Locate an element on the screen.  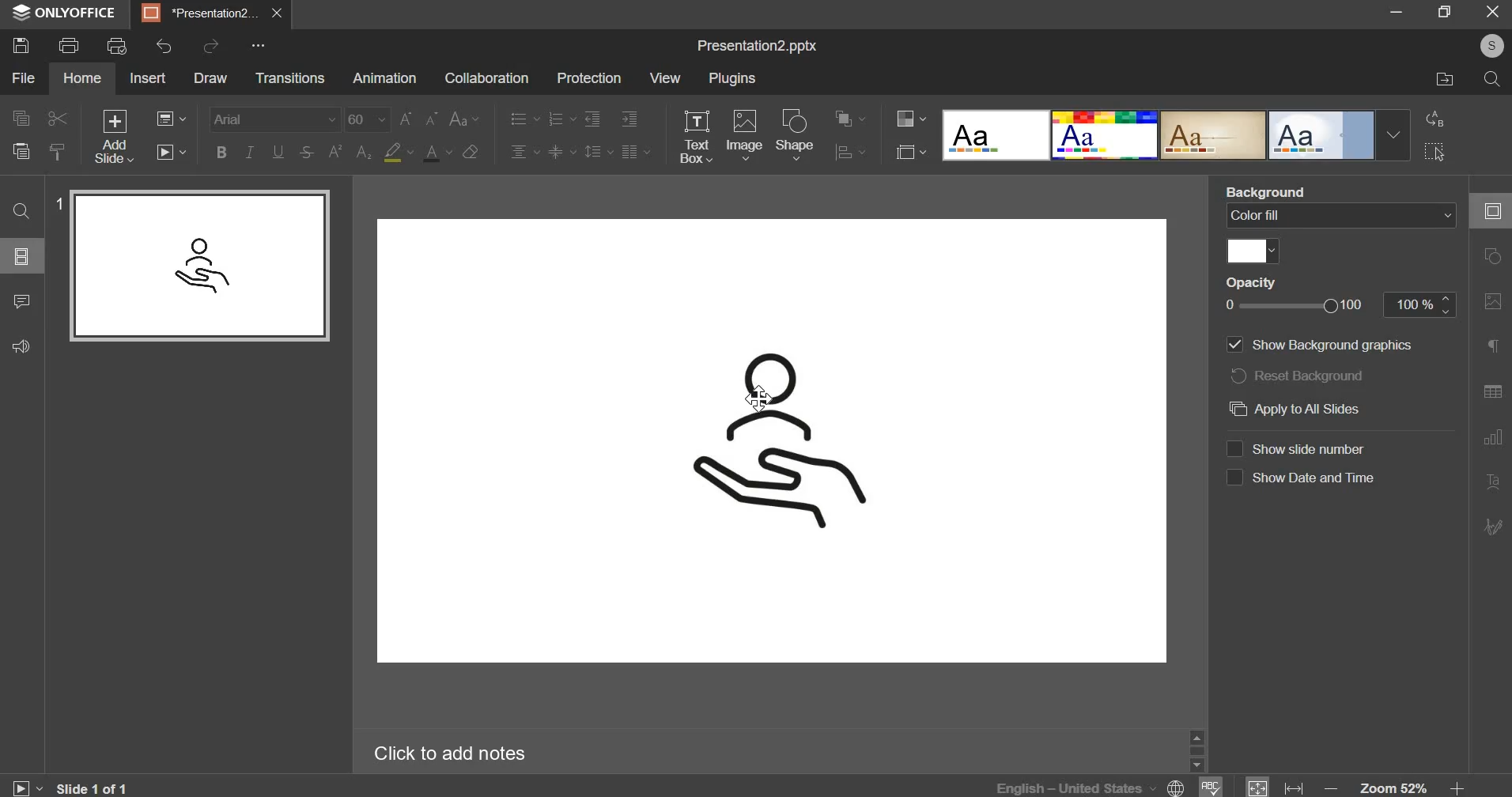
language is located at coordinates (1093, 786).